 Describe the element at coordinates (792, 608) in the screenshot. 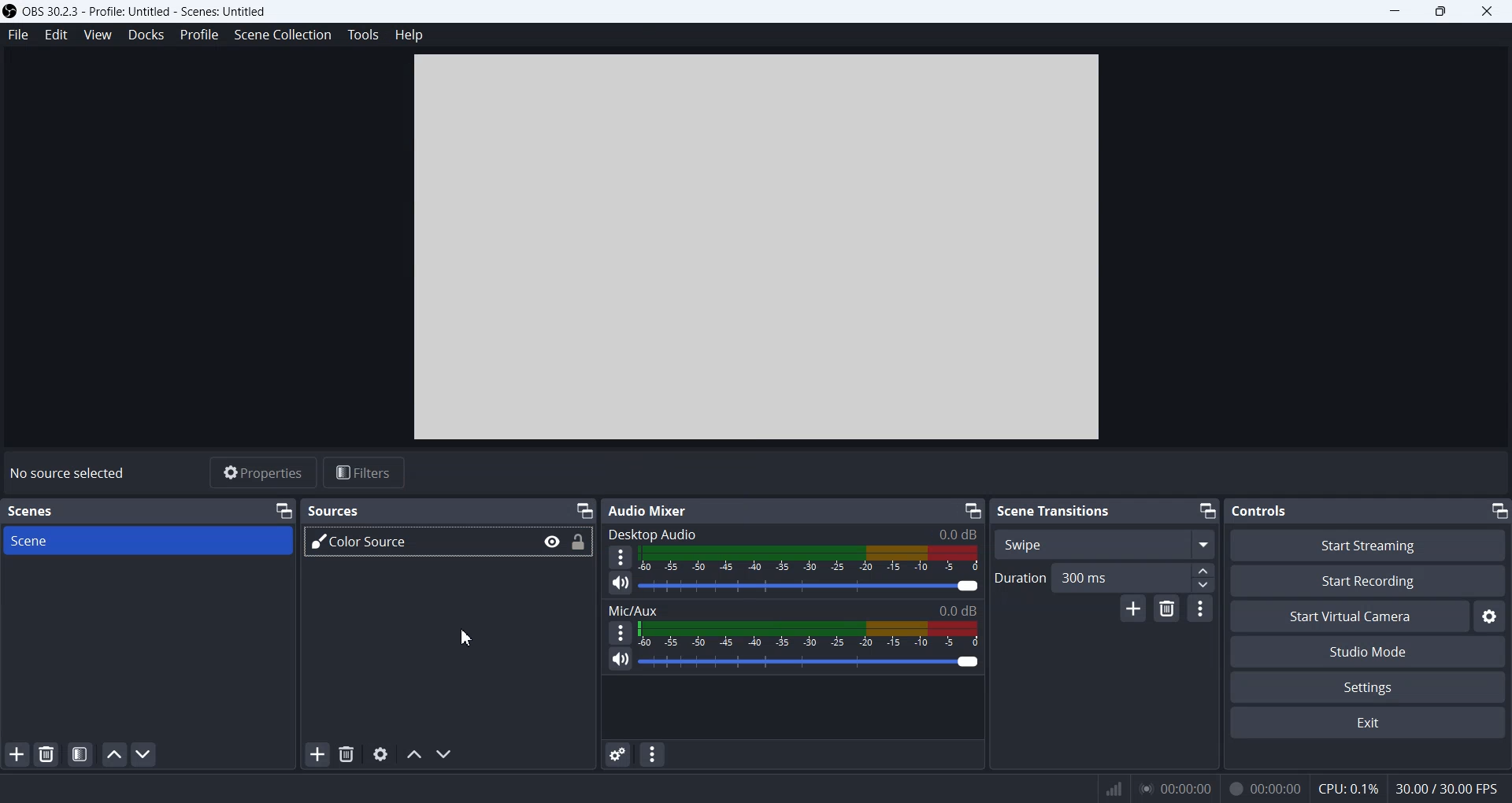

I see `Mic/Aux 0.0dB` at that location.